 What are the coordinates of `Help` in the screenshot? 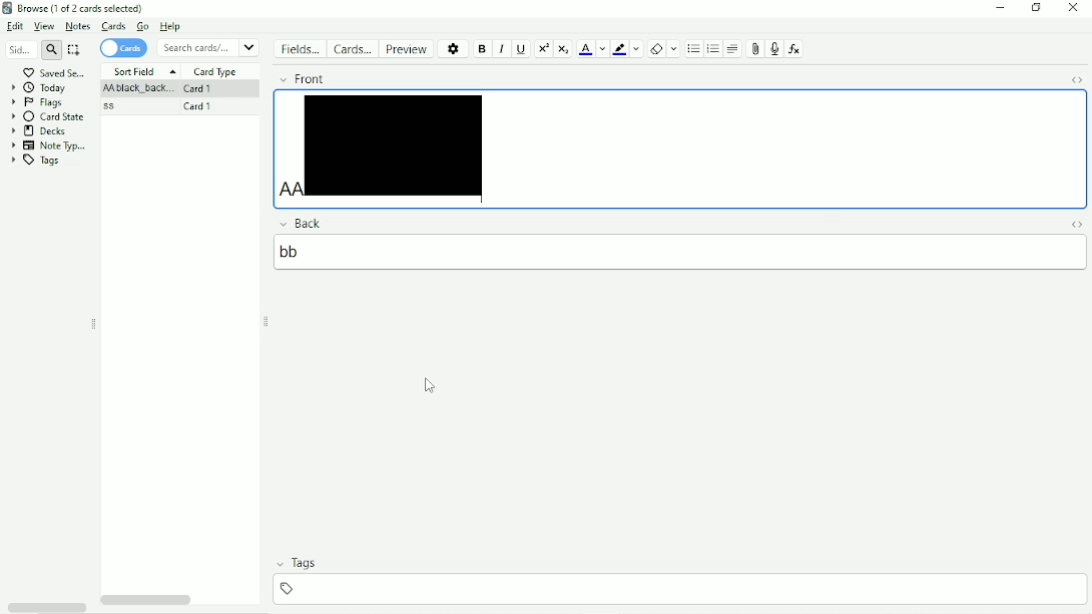 It's located at (170, 26).